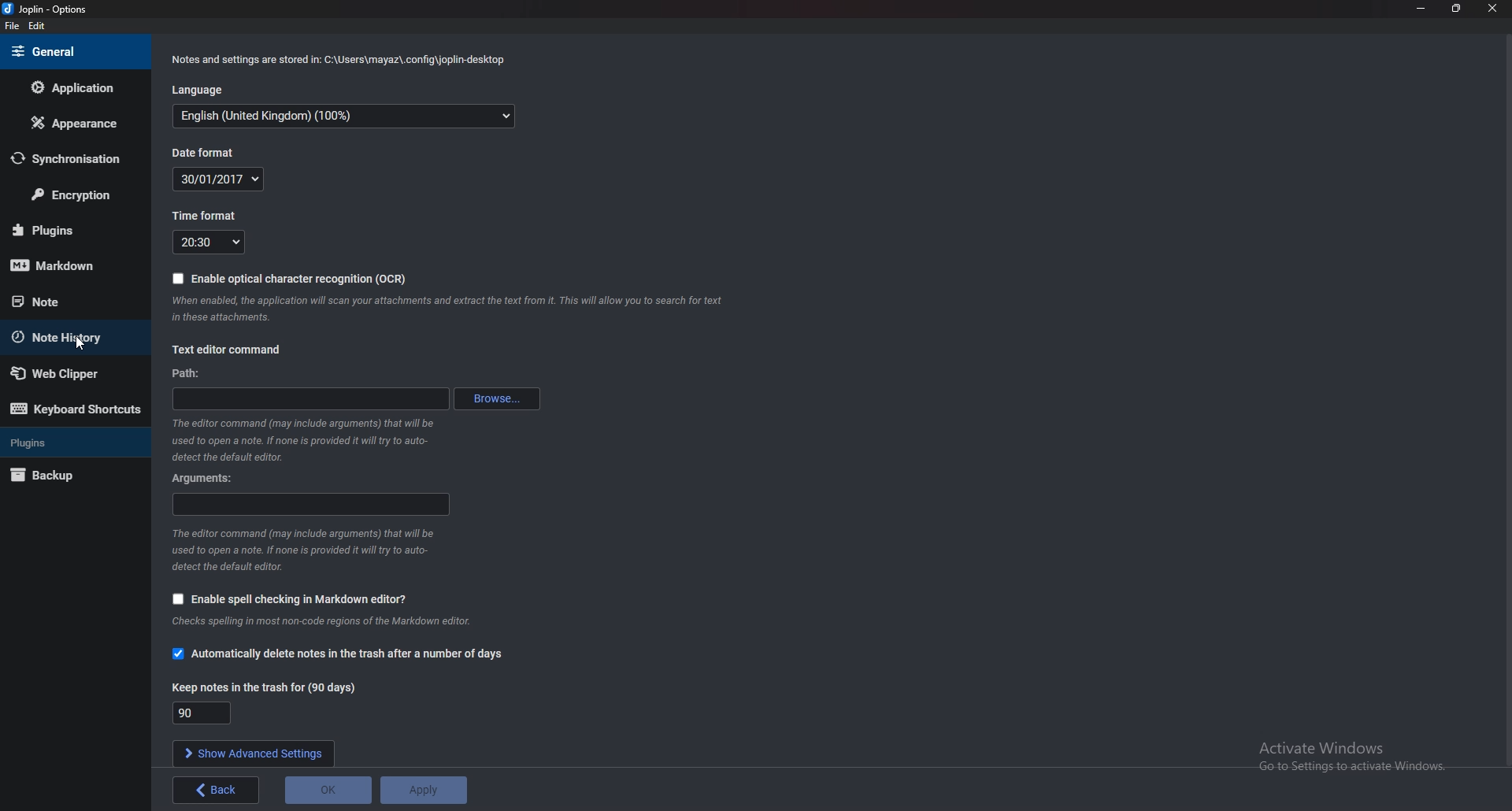  What do you see at coordinates (329, 789) in the screenshot?
I see `o K` at bounding box center [329, 789].